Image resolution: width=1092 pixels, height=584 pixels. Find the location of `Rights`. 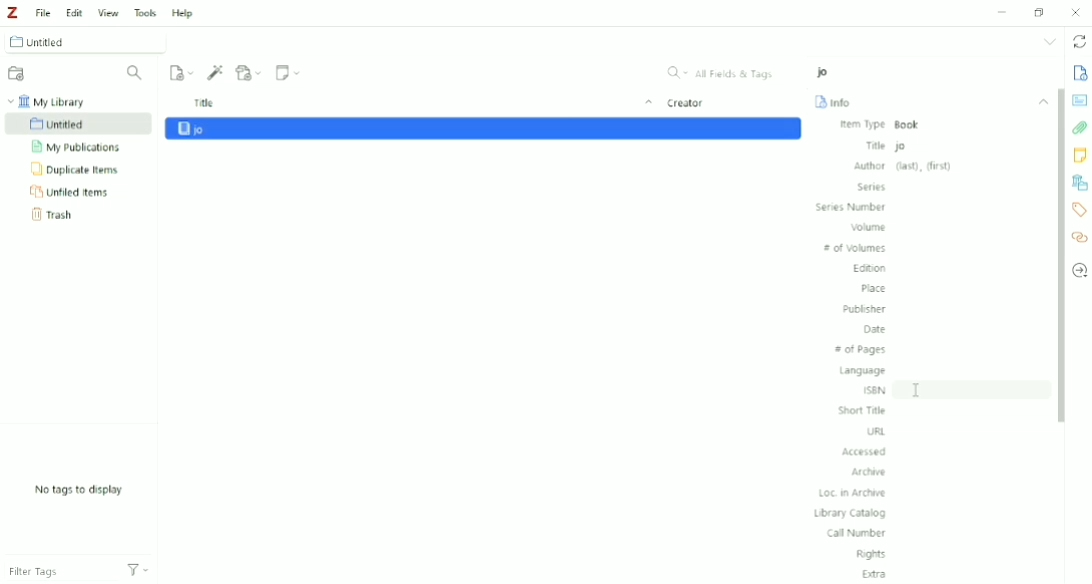

Rights is located at coordinates (870, 555).